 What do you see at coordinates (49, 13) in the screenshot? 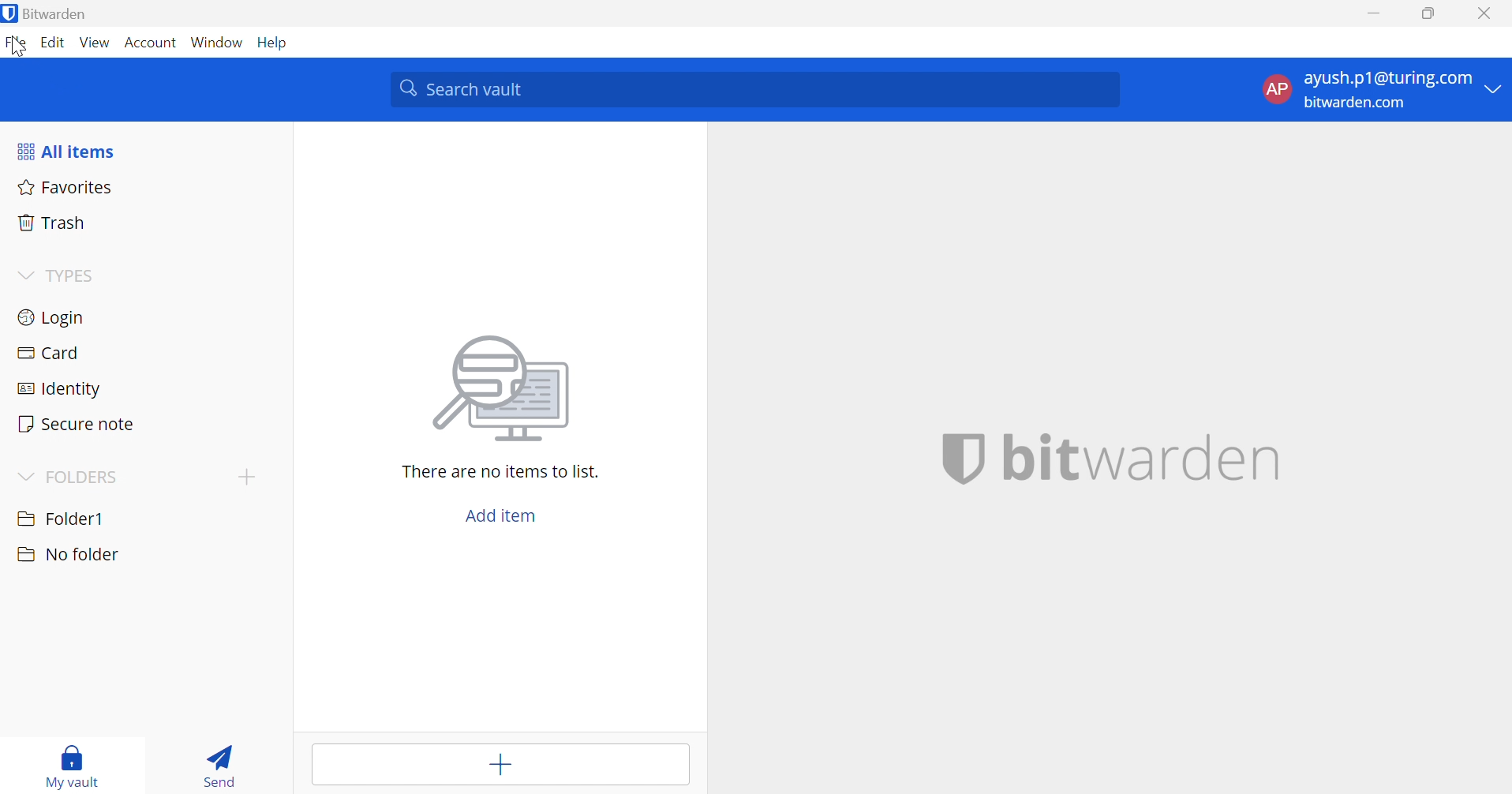
I see `Bitwarden` at bounding box center [49, 13].